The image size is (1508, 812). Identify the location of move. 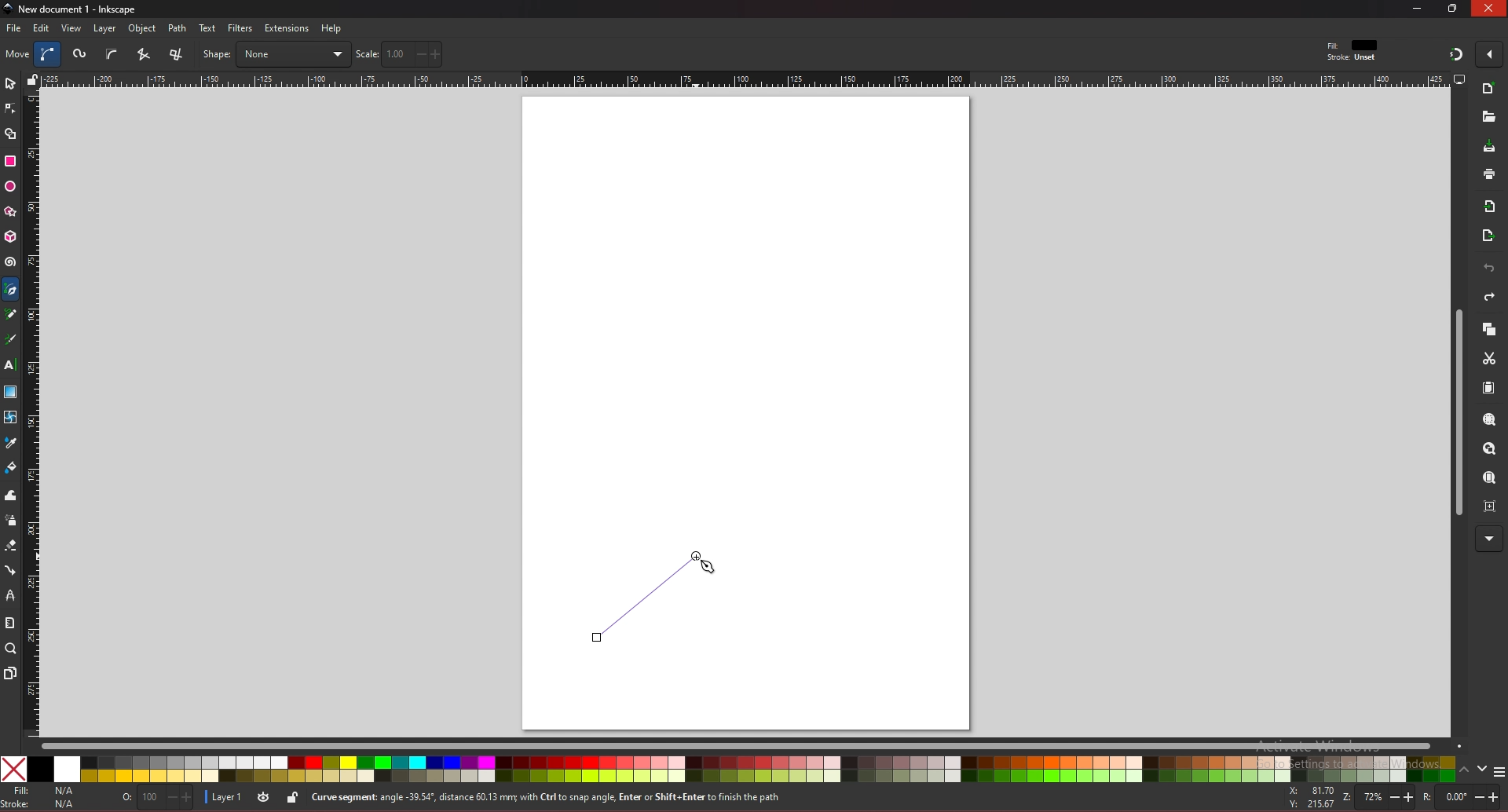
(18, 53).